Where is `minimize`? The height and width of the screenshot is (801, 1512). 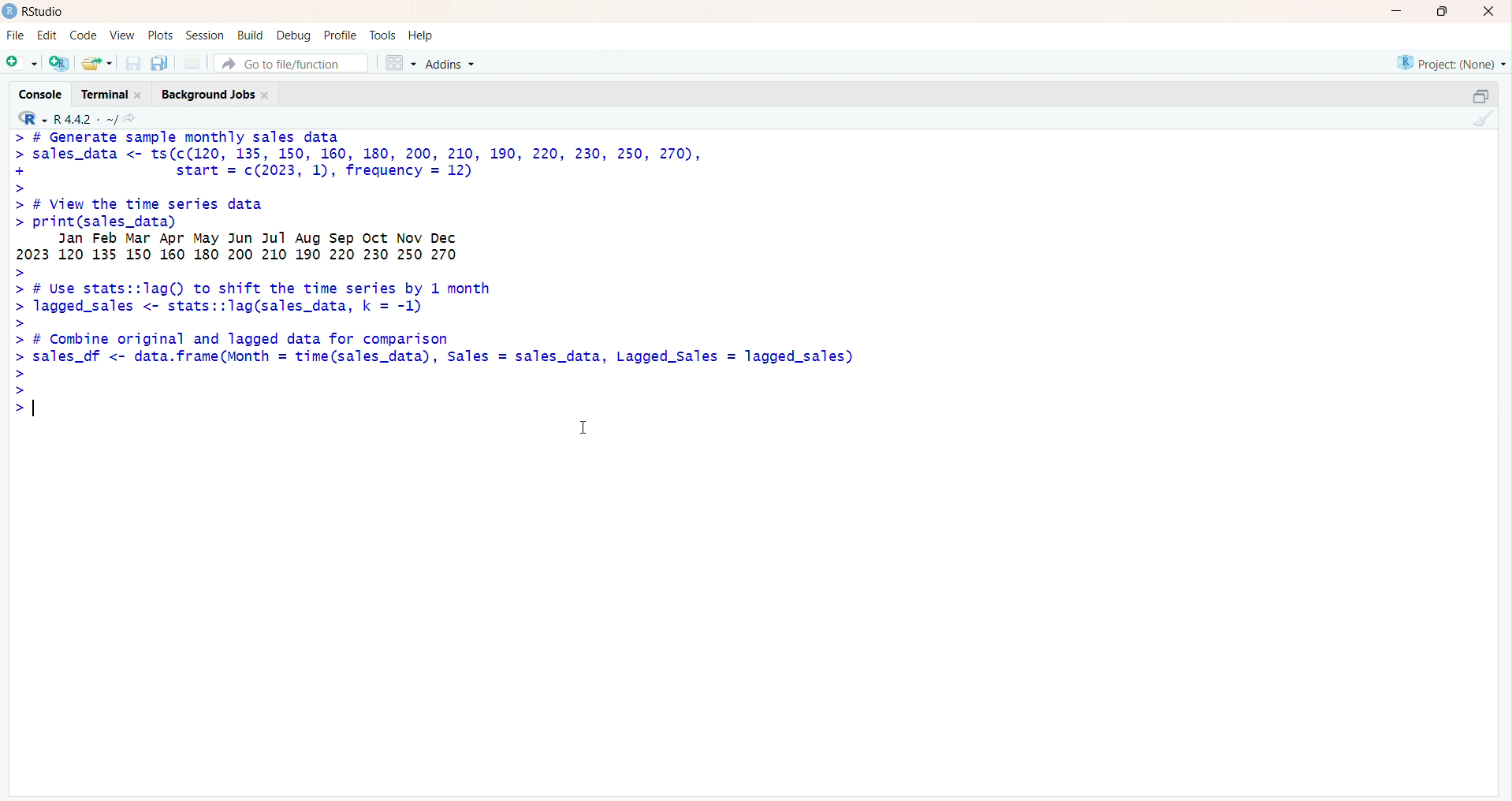 minimize is located at coordinates (1394, 12).